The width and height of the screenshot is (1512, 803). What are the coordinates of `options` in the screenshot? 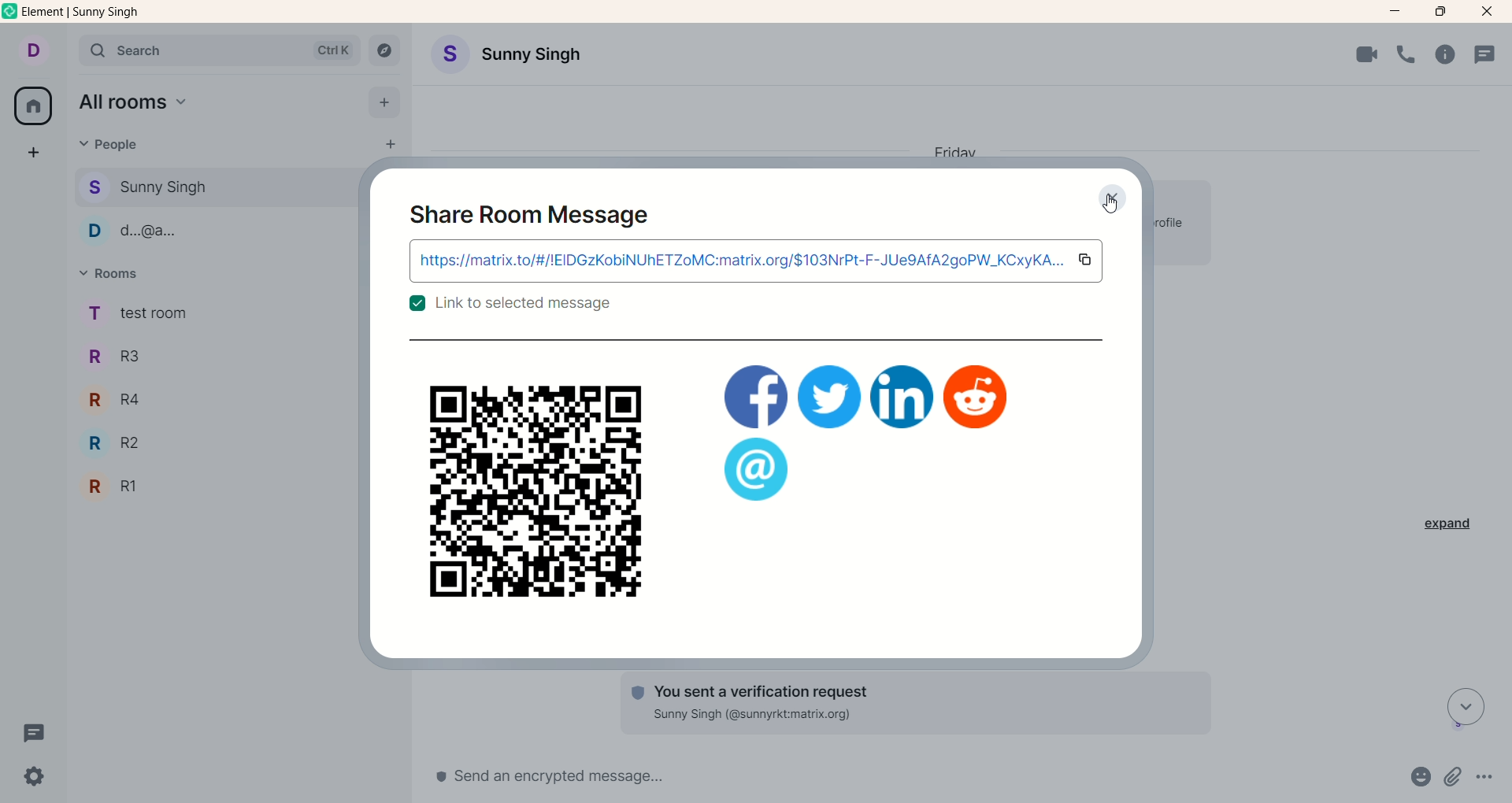 It's located at (1487, 777).